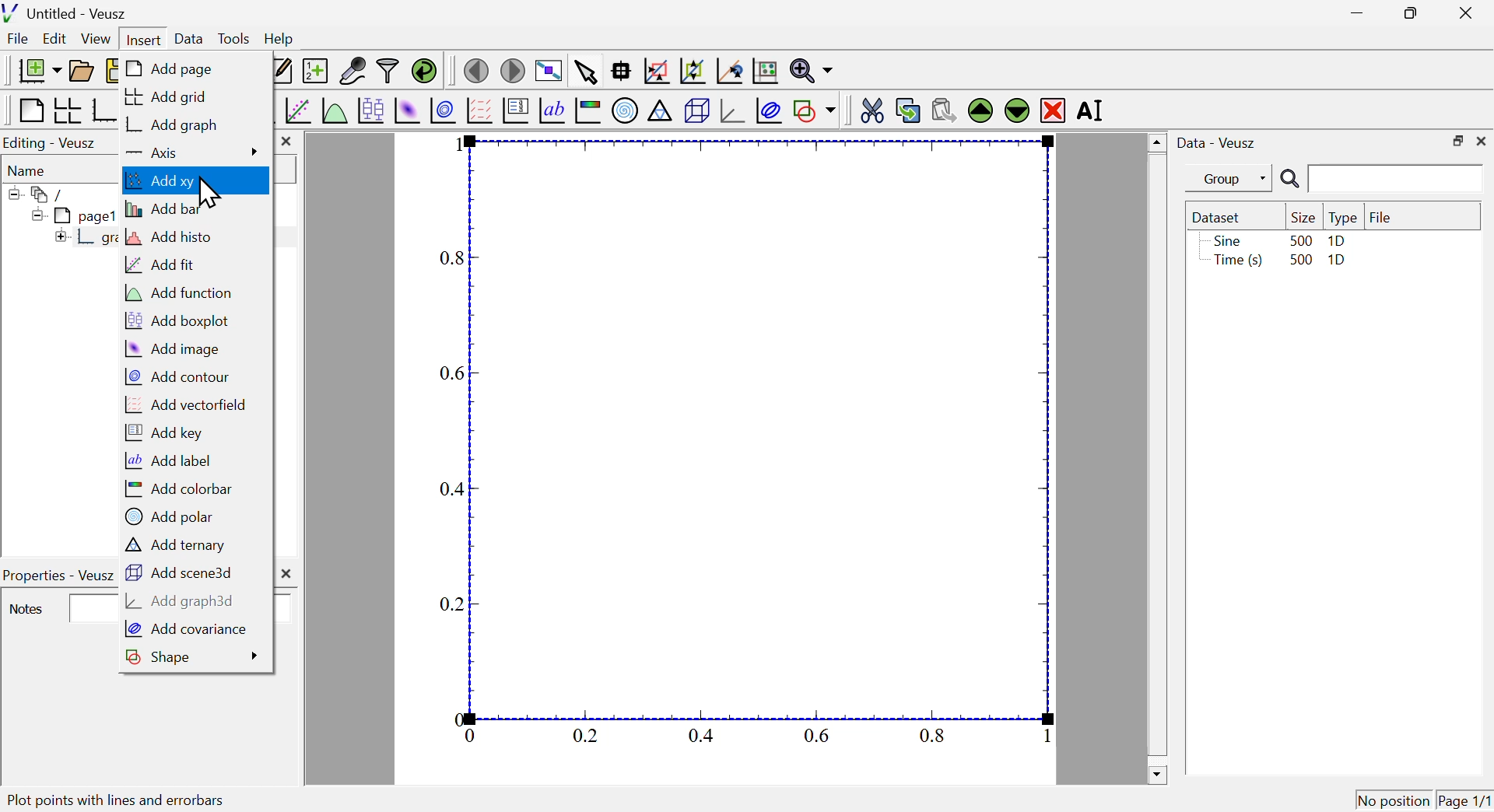  I want to click on cut the selected widget, so click(869, 109).